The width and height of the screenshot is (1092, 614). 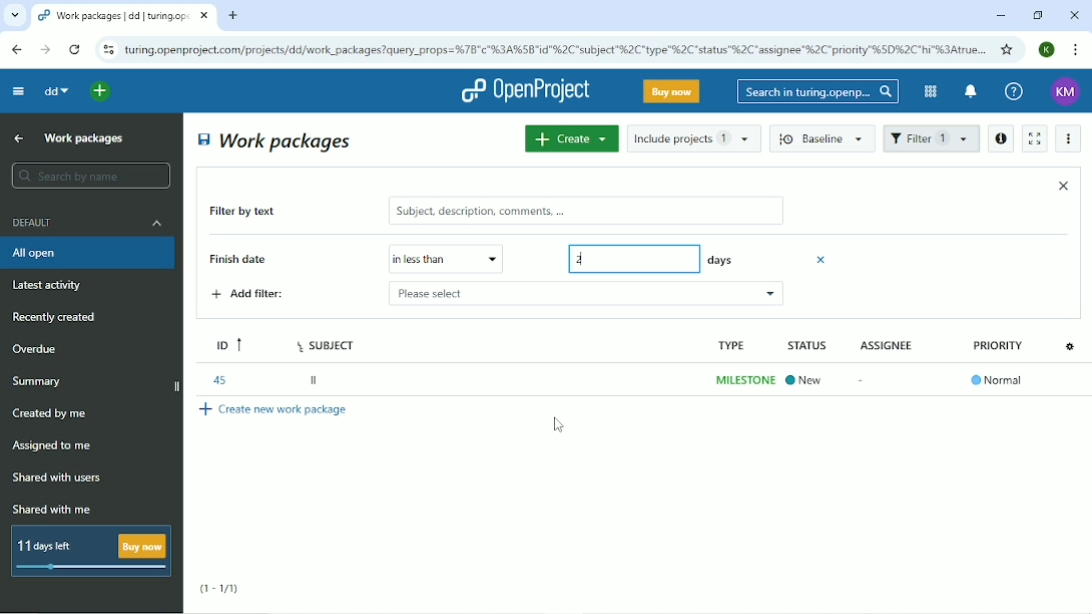 What do you see at coordinates (90, 253) in the screenshot?
I see `All open` at bounding box center [90, 253].